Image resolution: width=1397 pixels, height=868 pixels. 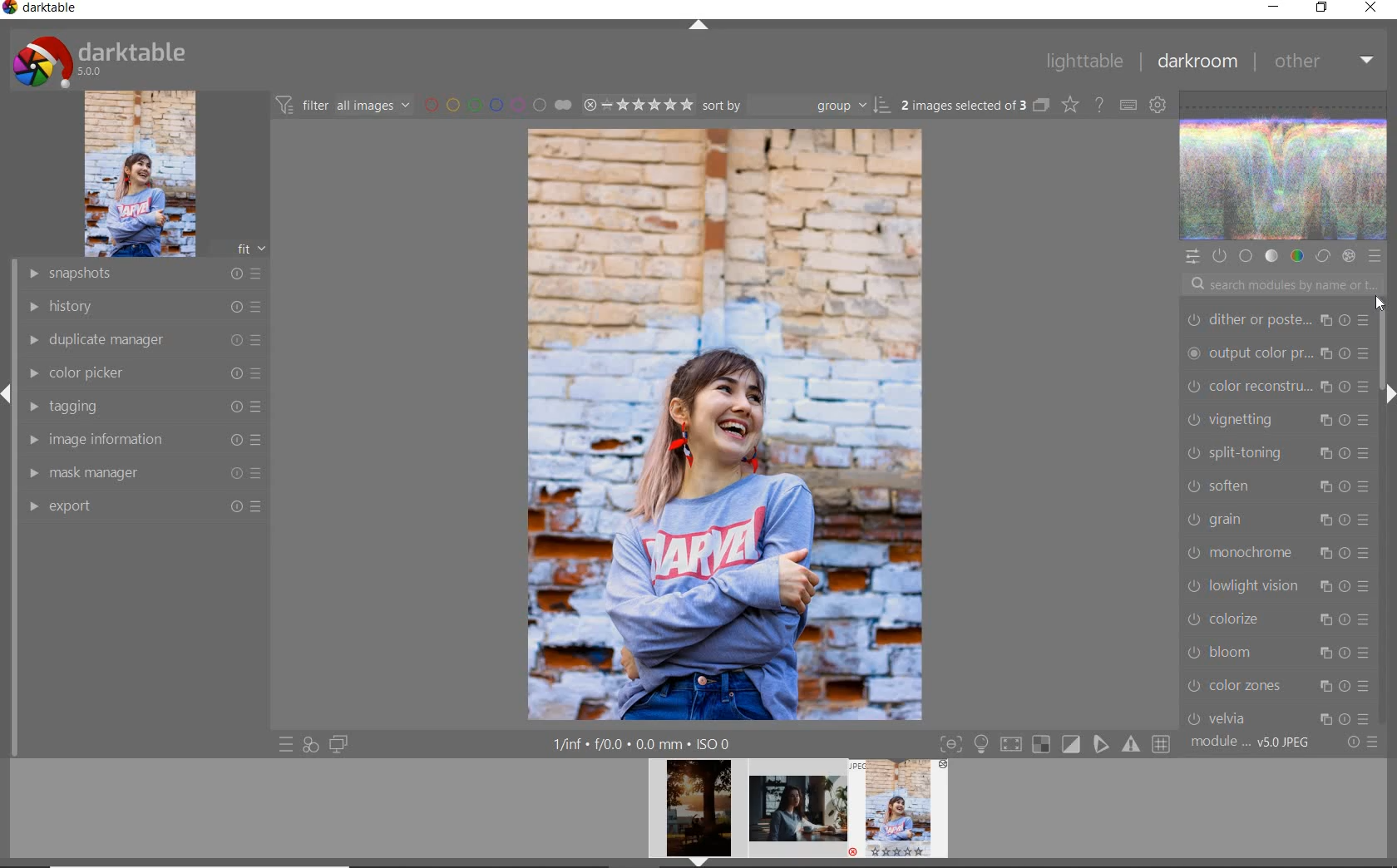 I want to click on crop, so click(x=1278, y=353).